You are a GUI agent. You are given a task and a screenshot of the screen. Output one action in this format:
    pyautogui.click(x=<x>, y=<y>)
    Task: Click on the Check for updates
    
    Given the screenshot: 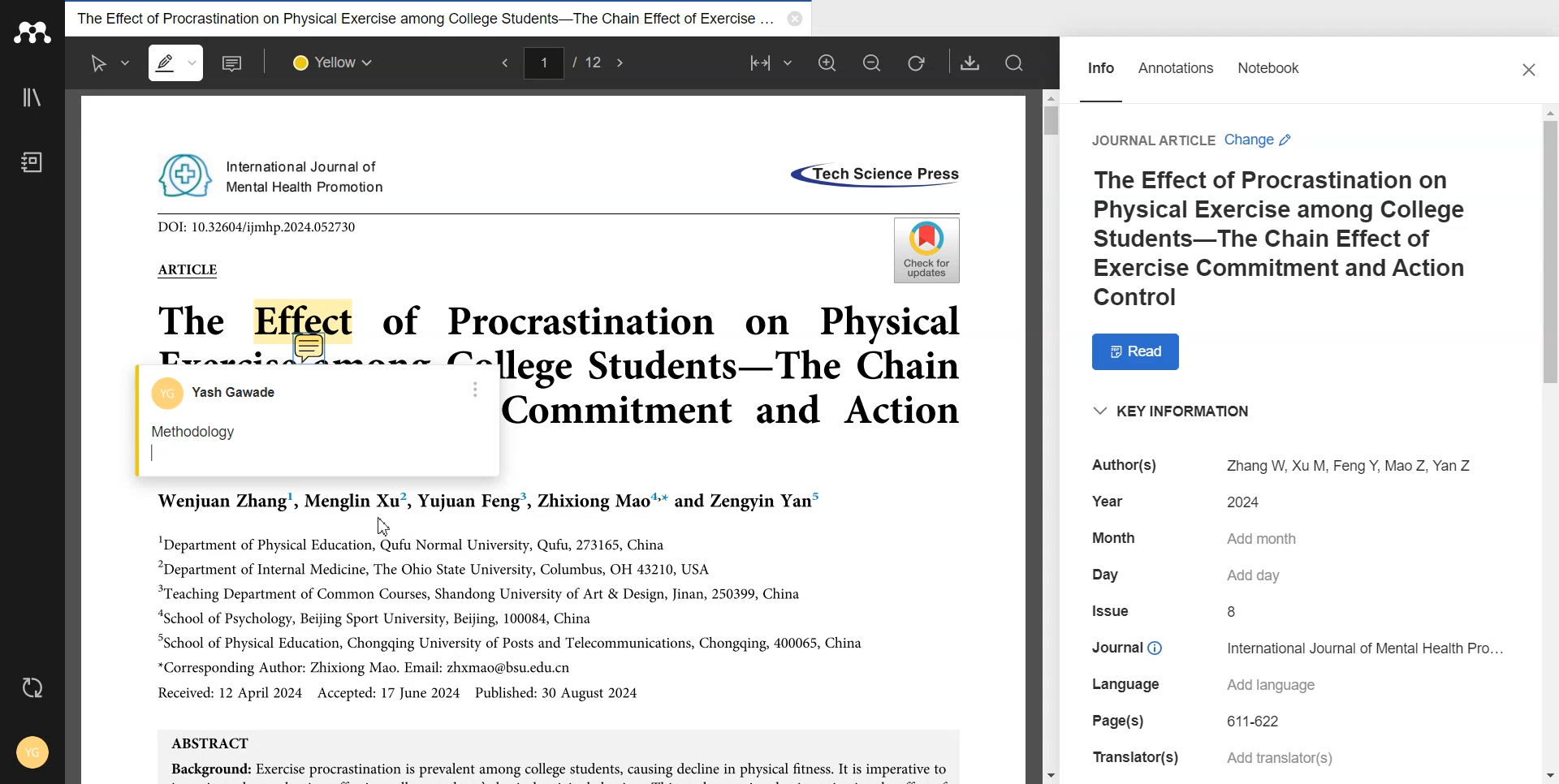 What is the action you would take?
    pyautogui.click(x=924, y=250)
    